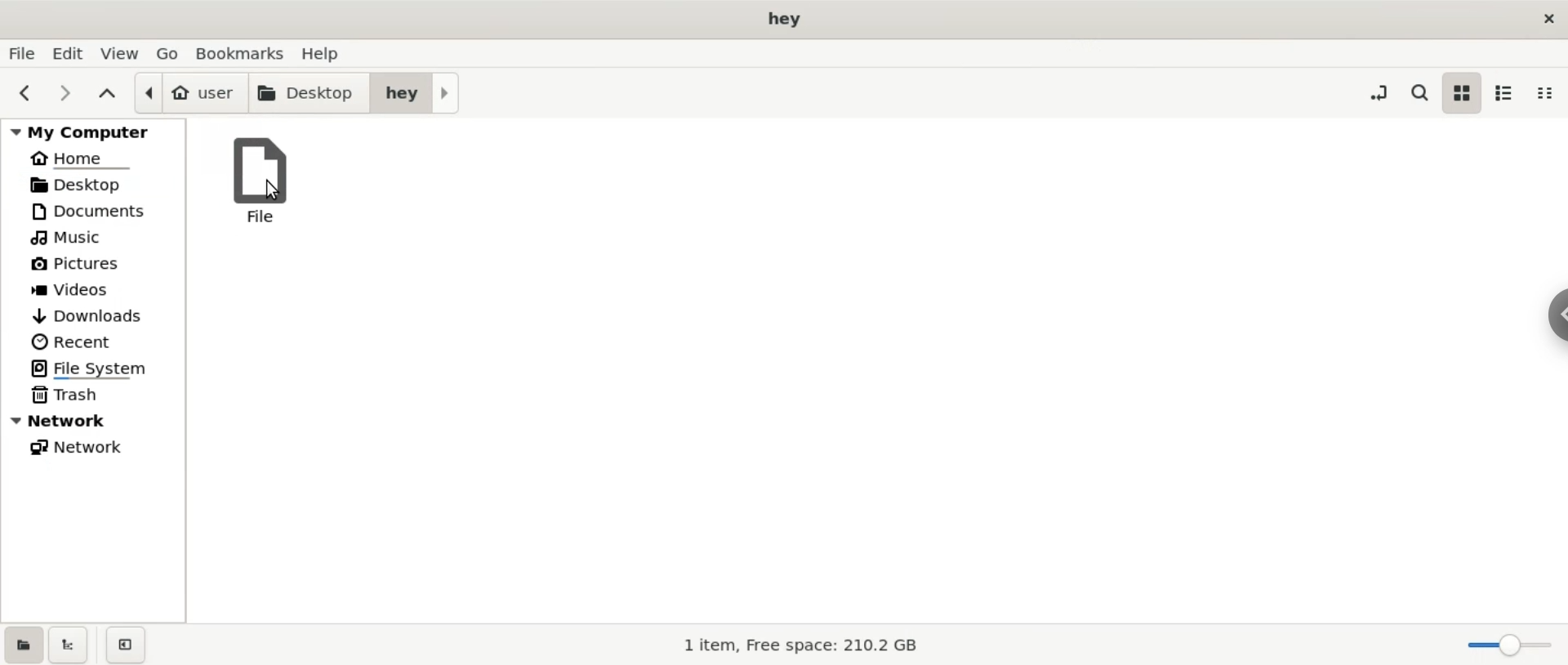 The width and height of the screenshot is (1568, 665). Describe the element at coordinates (105, 94) in the screenshot. I see `parent folders` at that location.